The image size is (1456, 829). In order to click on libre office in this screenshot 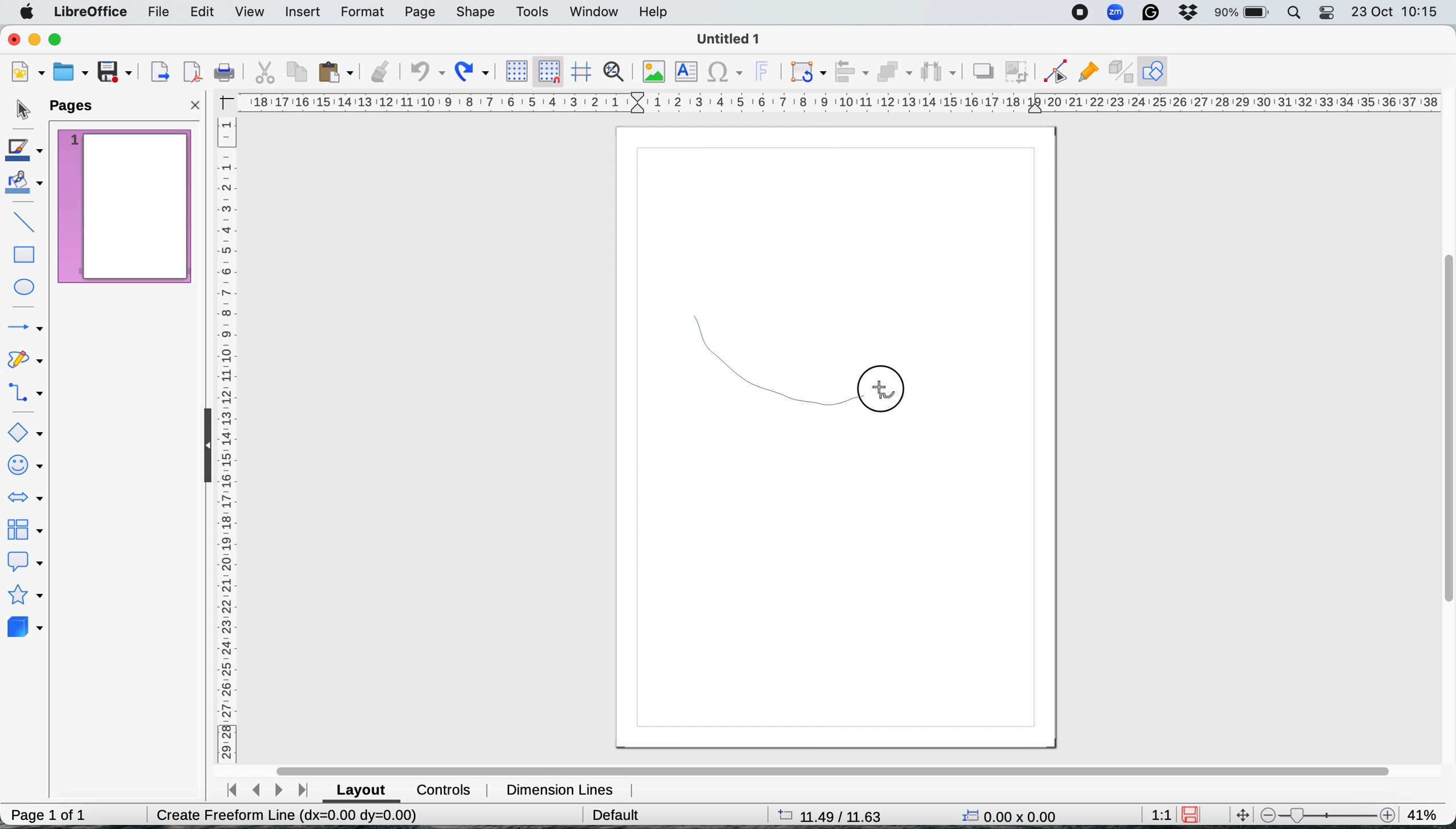, I will do `click(92, 13)`.